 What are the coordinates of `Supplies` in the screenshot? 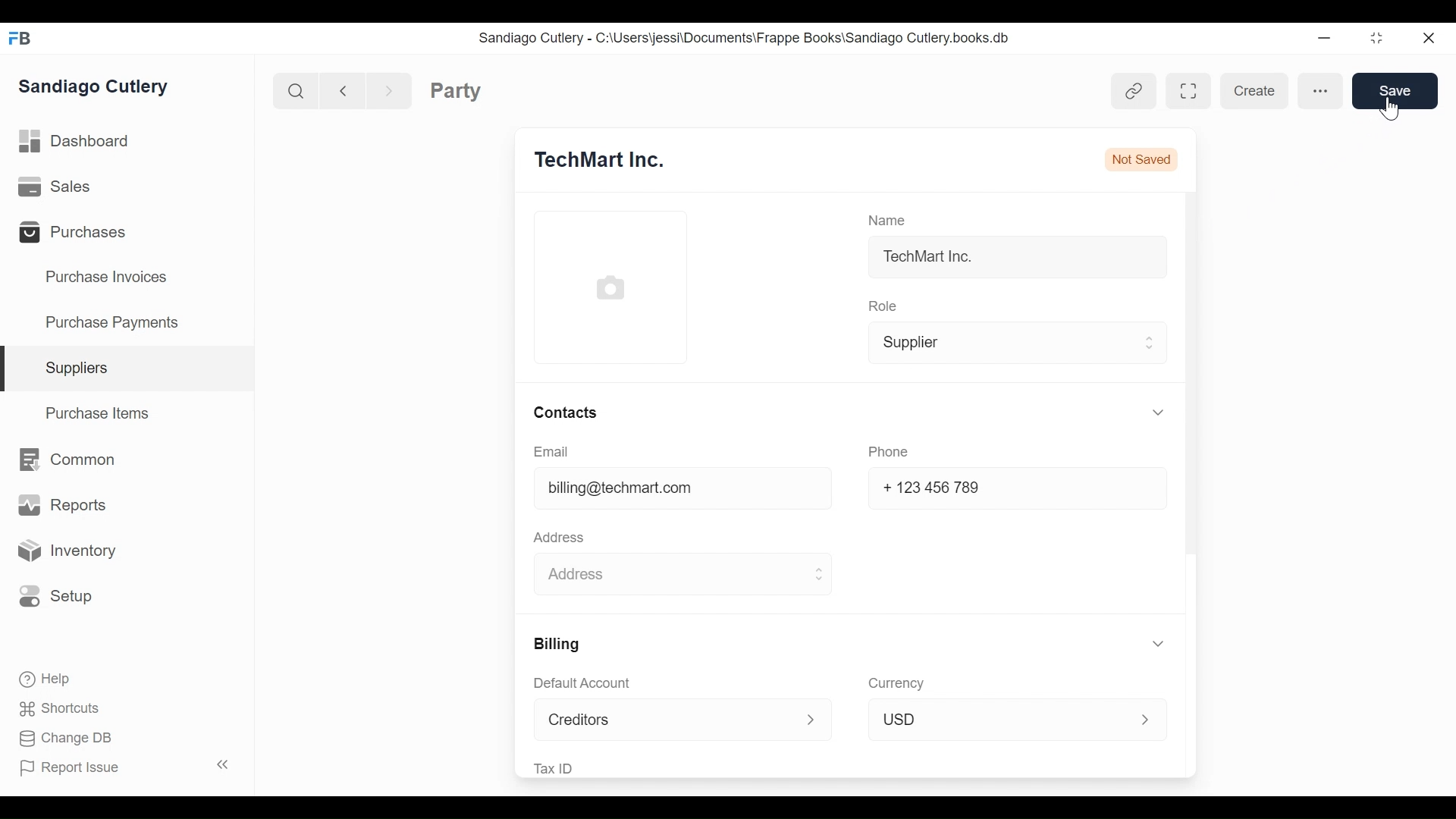 It's located at (82, 368).